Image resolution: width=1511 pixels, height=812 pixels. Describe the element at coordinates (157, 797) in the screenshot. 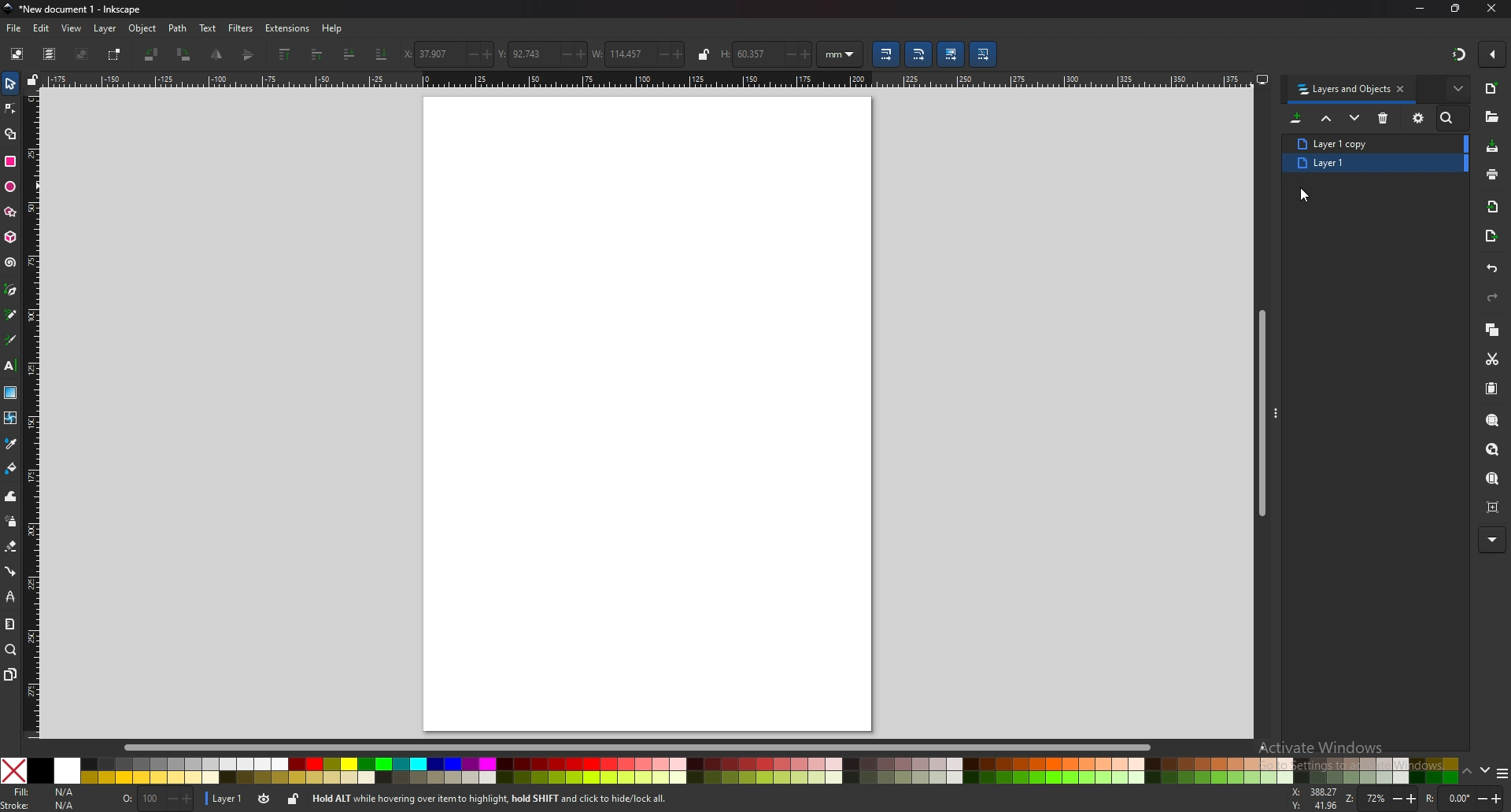

I see `opacity` at that location.